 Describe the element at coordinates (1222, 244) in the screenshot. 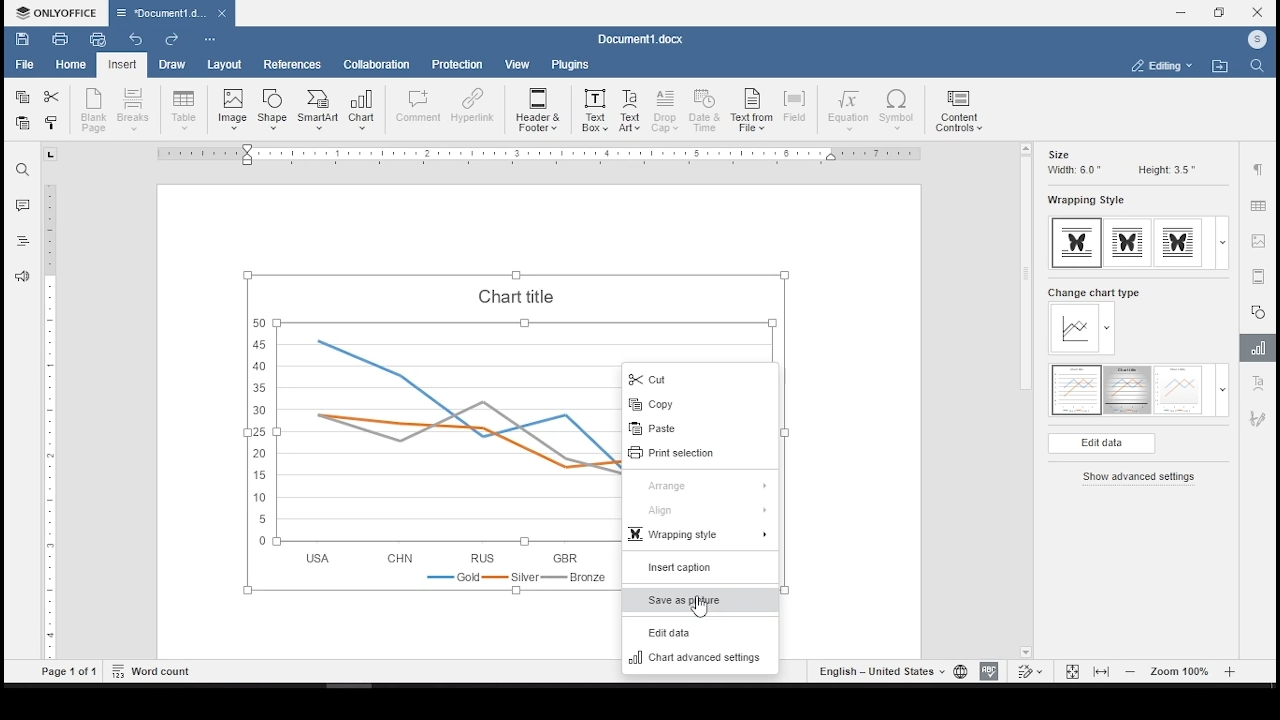

I see `expand` at that location.